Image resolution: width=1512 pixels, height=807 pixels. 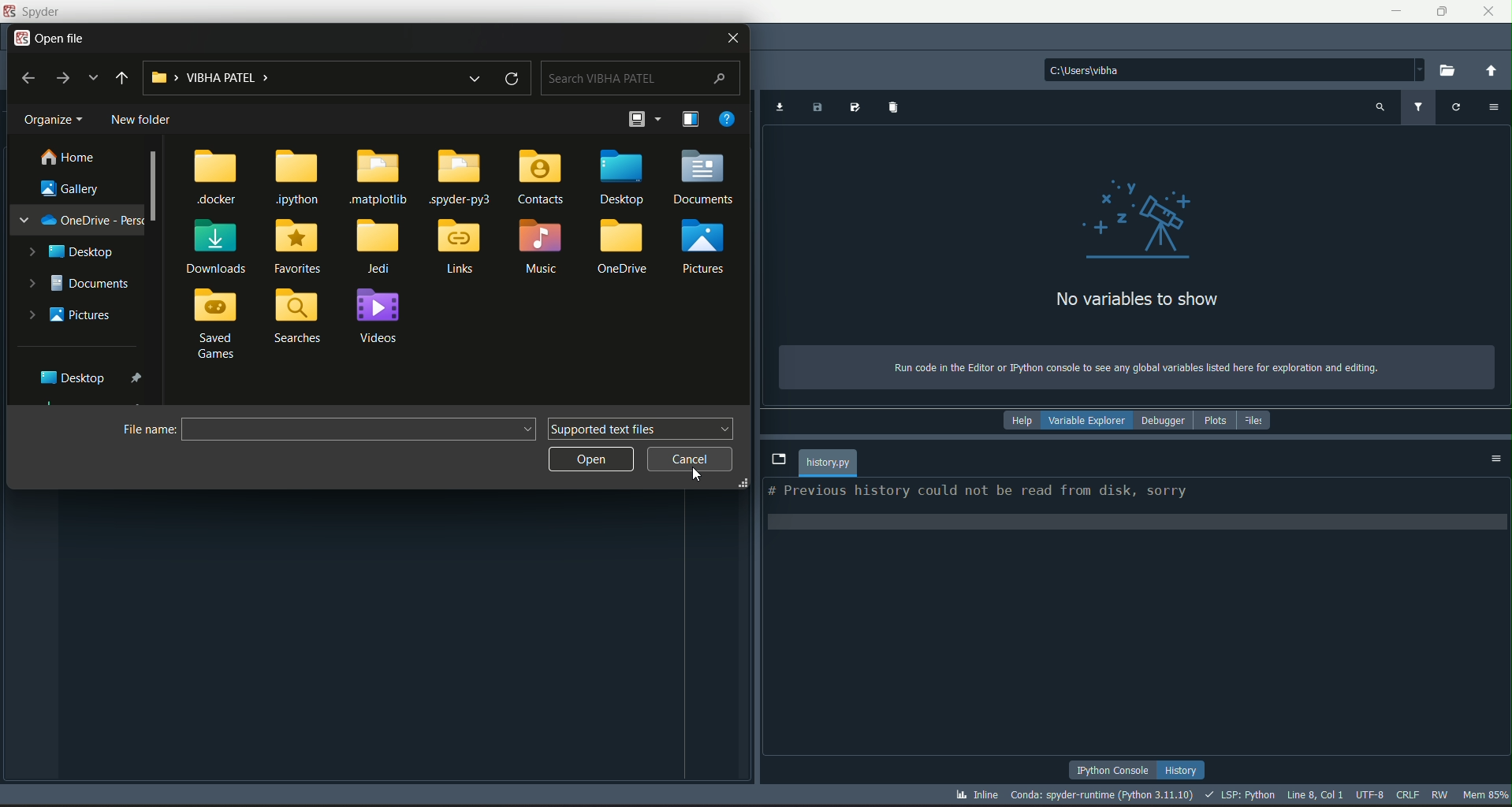 What do you see at coordinates (298, 177) in the screenshot?
I see `.jpython` at bounding box center [298, 177].